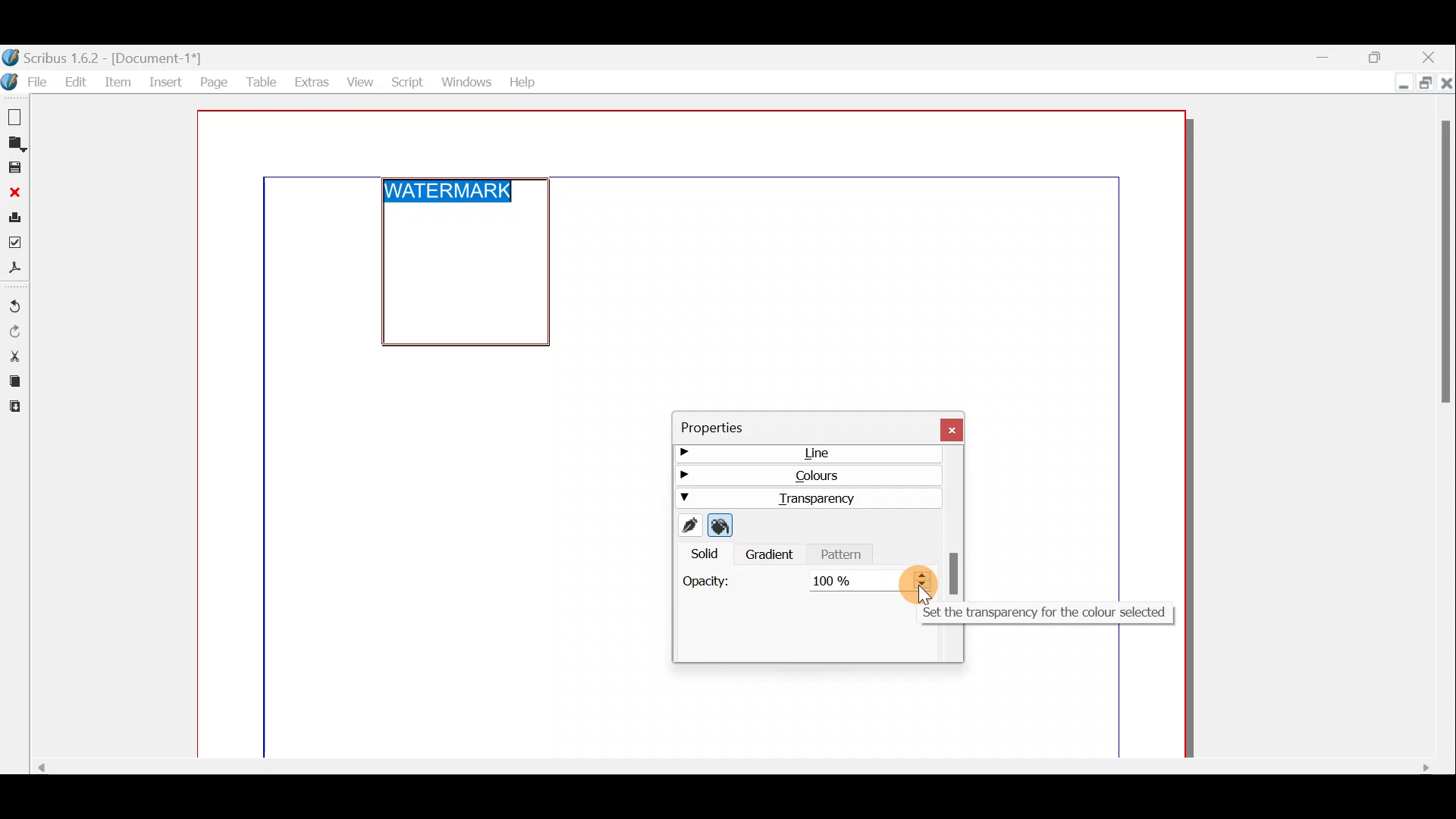  I want to click on Colours, so click(804, 478).